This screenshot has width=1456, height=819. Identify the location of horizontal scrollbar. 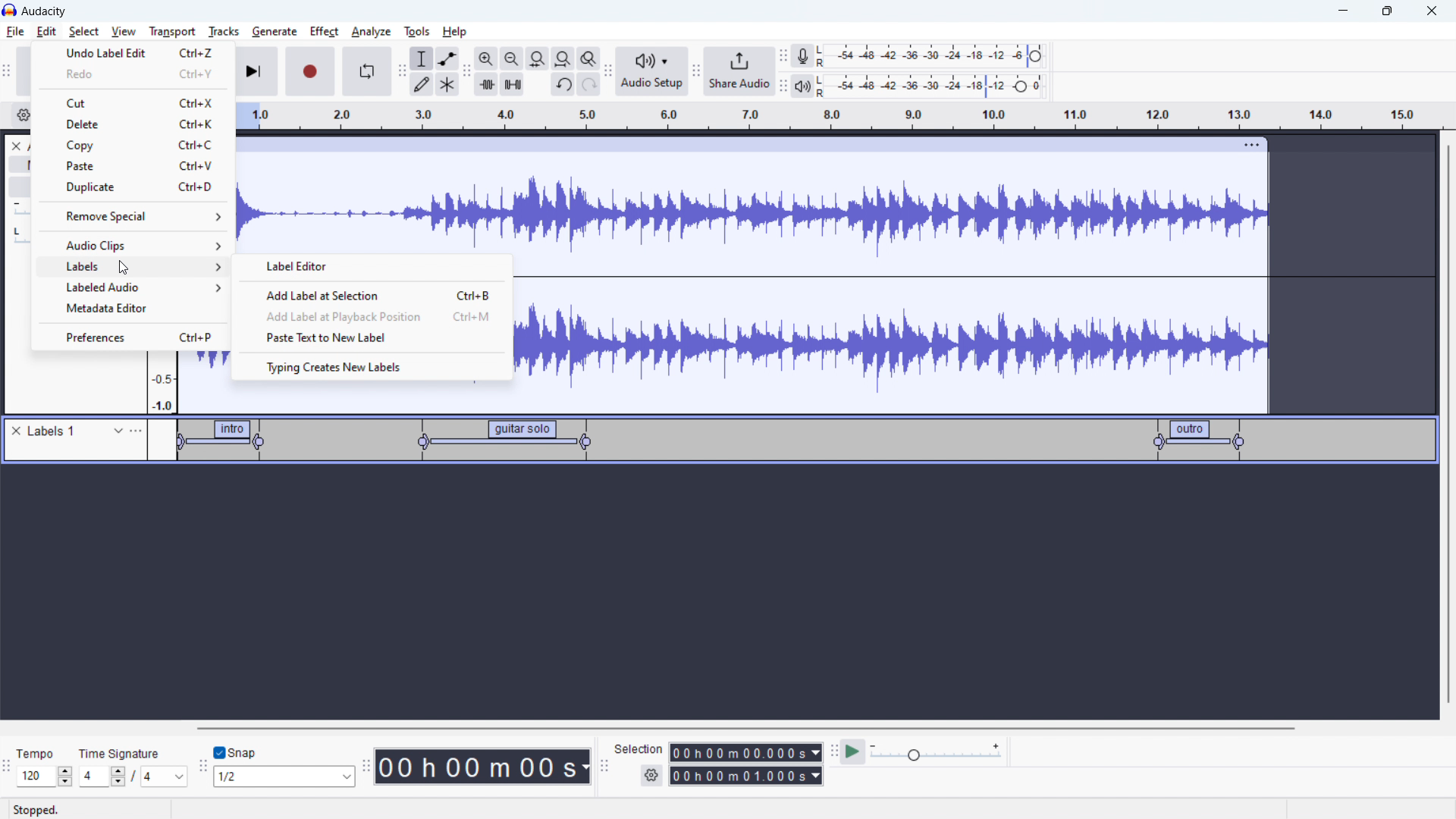
(748, 728).